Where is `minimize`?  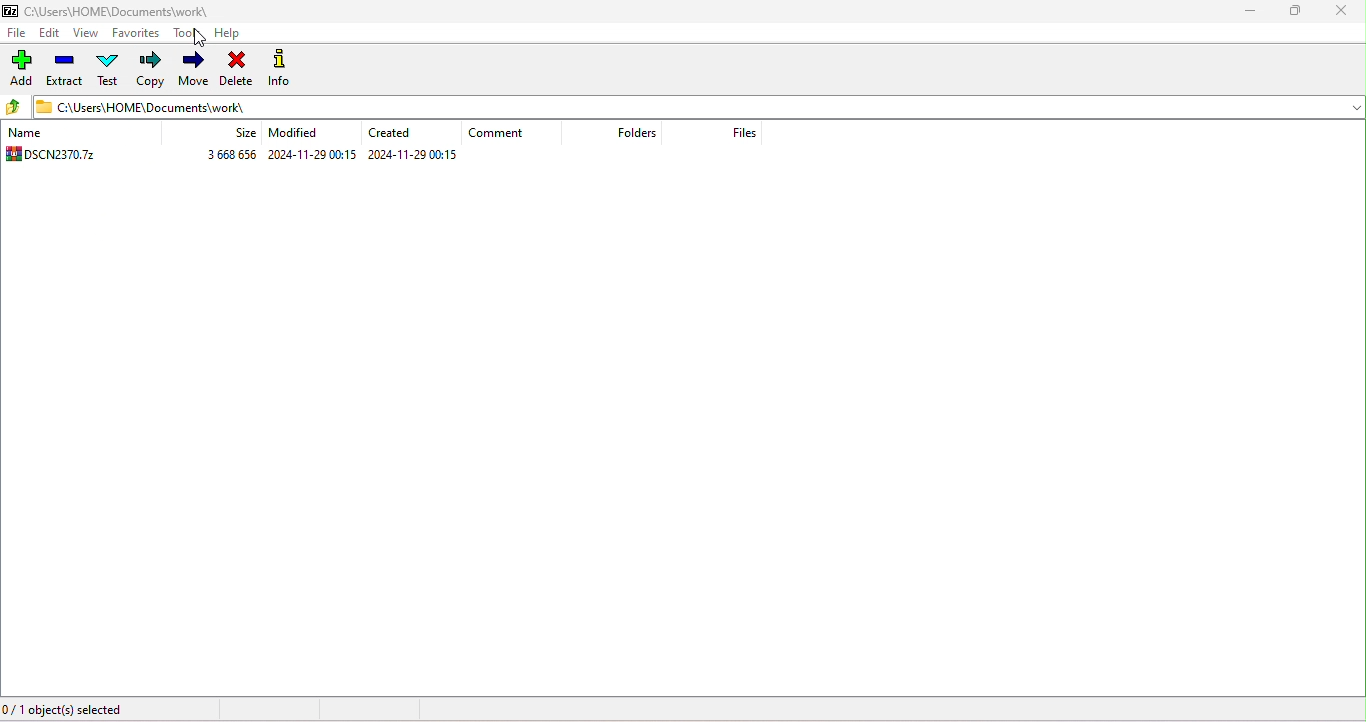 minimize is located at coordinates (1251, 12).